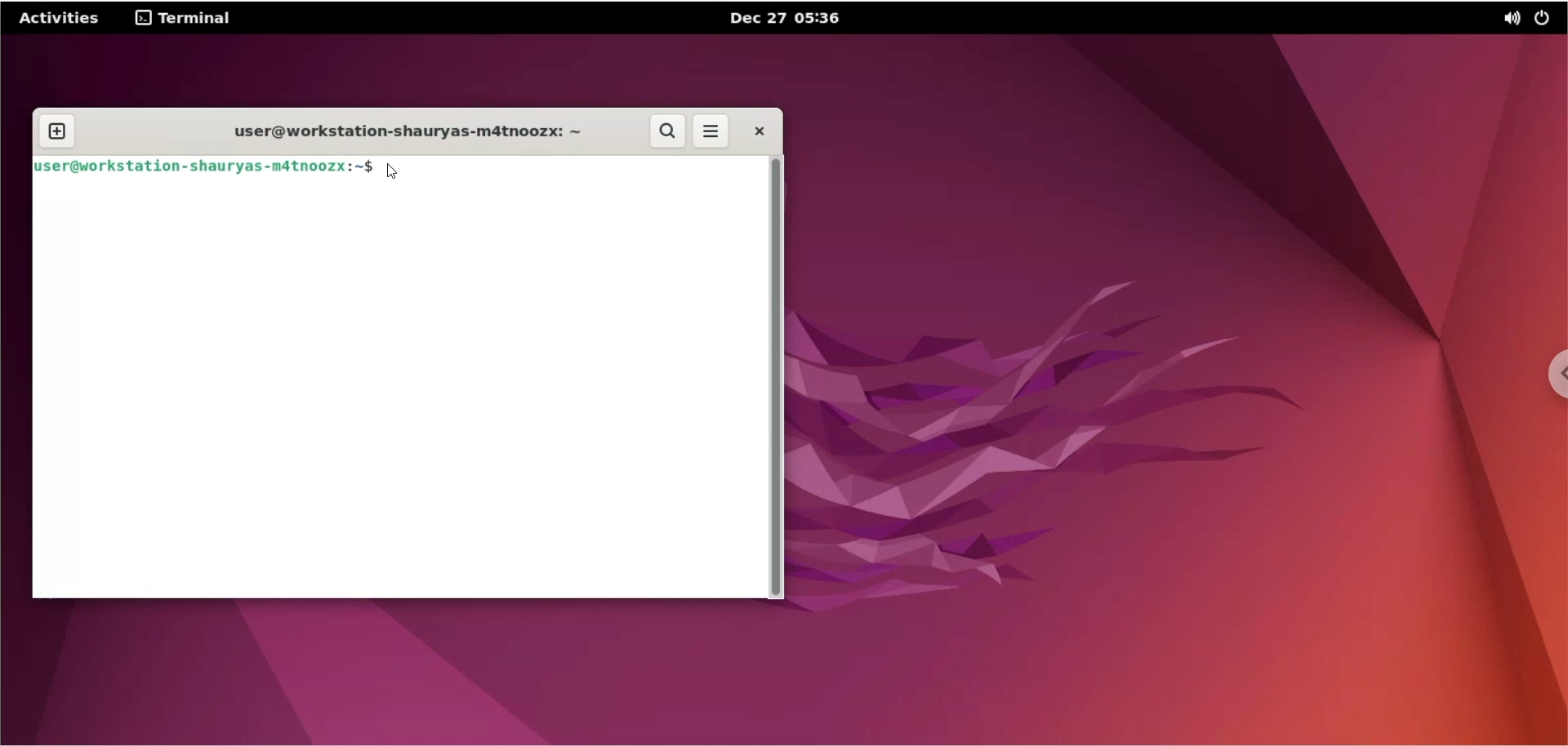 The height and width of the screenshot is (746, 1568). What do you see at coordinates (666, 132) in the screenshot?
I see `search button` at bounding box center [666, 132].